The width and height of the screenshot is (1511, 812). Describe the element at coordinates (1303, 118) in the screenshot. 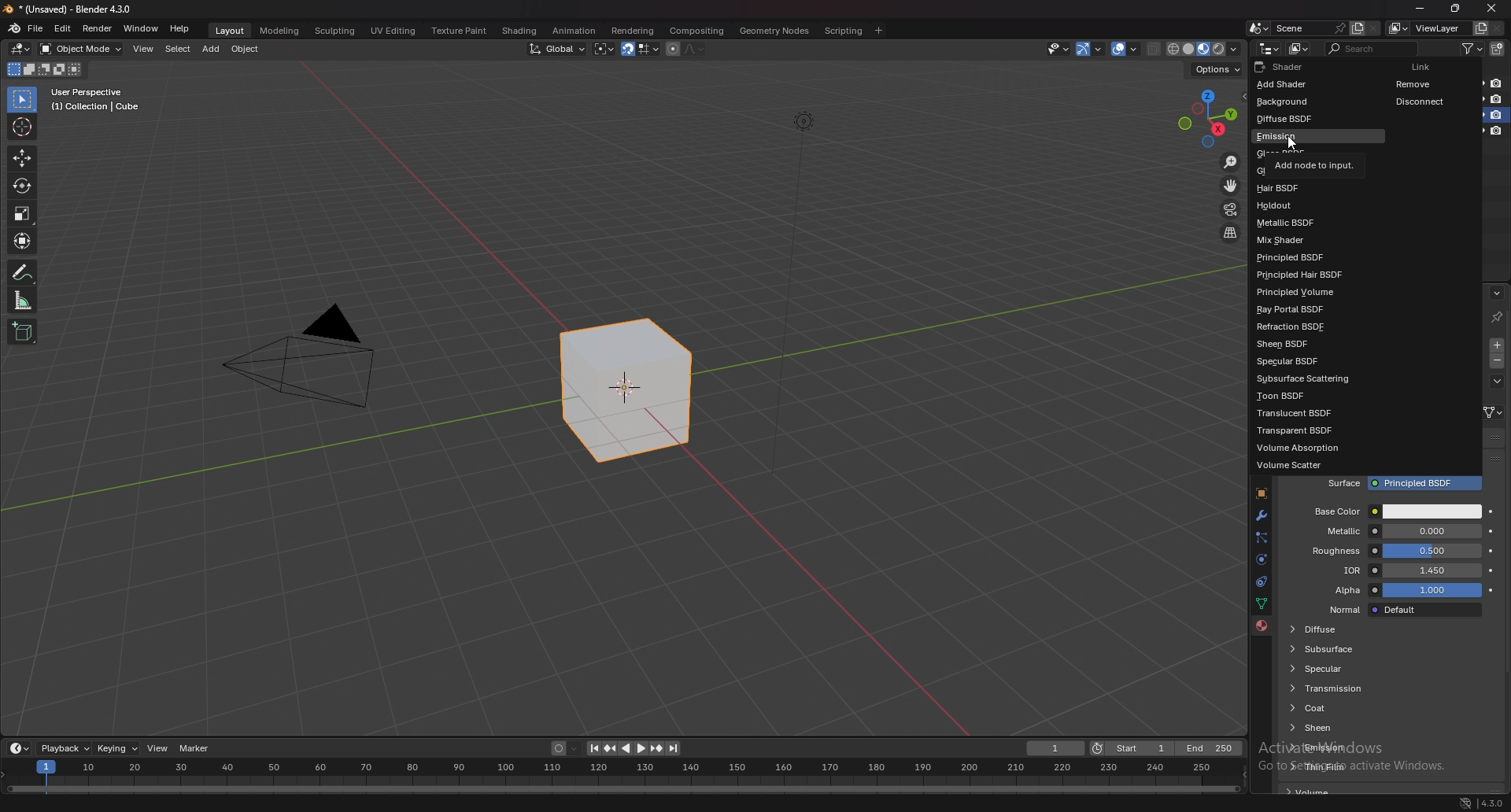

I see `diffuse bsdf` at that location.